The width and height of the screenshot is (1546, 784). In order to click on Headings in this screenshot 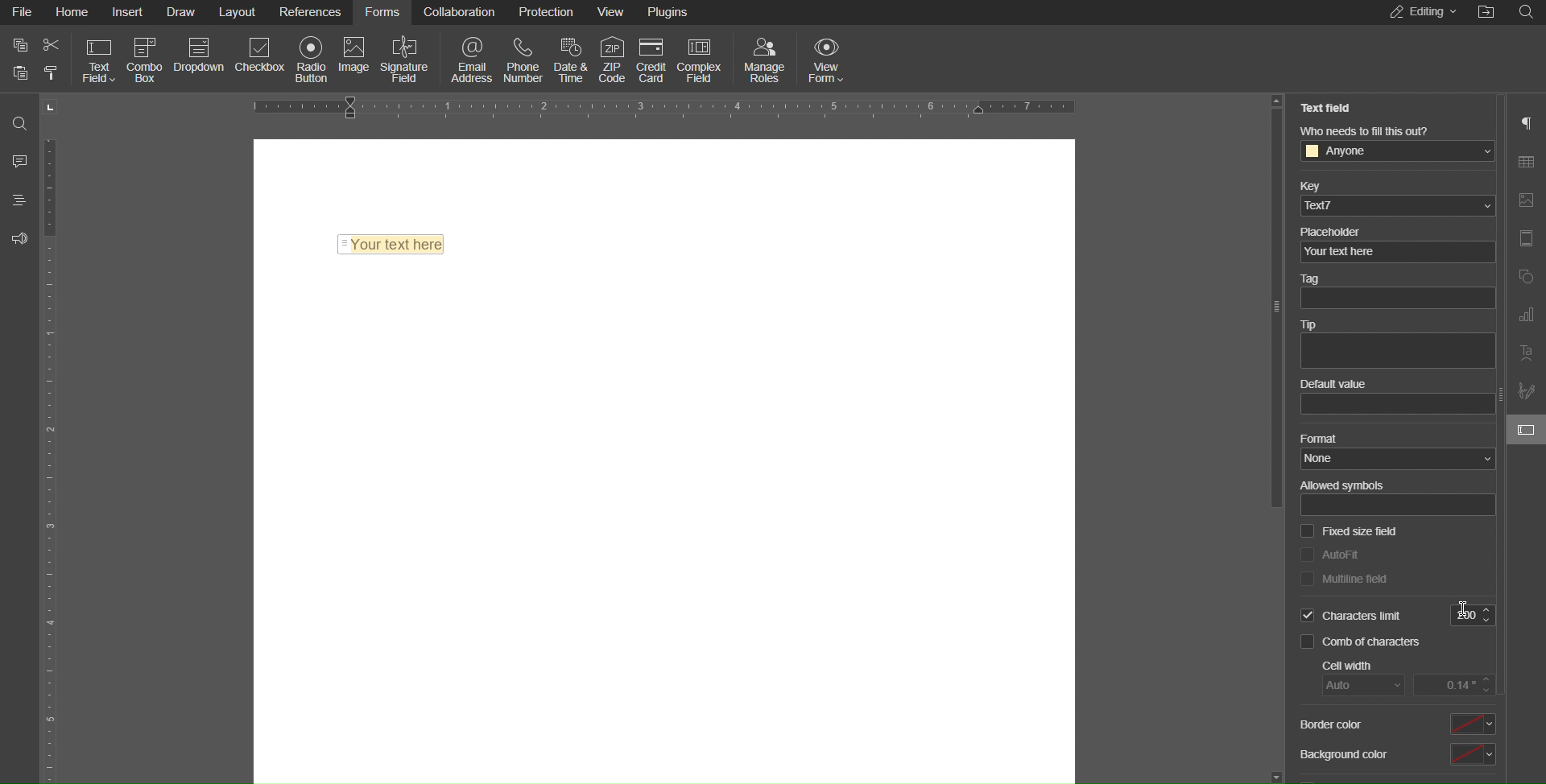, I will do `click(19, 200)`.